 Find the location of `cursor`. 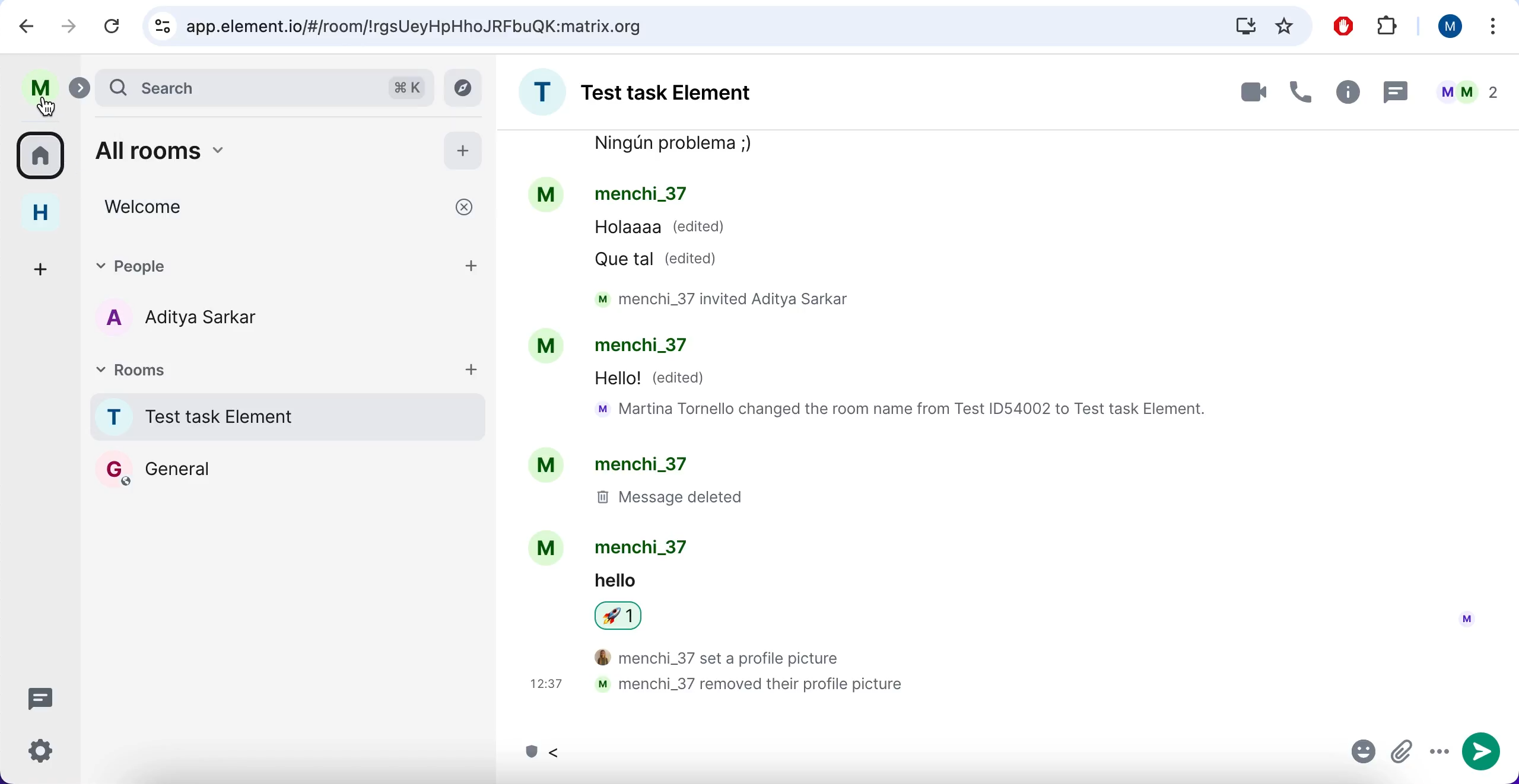

cursor is located at coordinates (47, 107).